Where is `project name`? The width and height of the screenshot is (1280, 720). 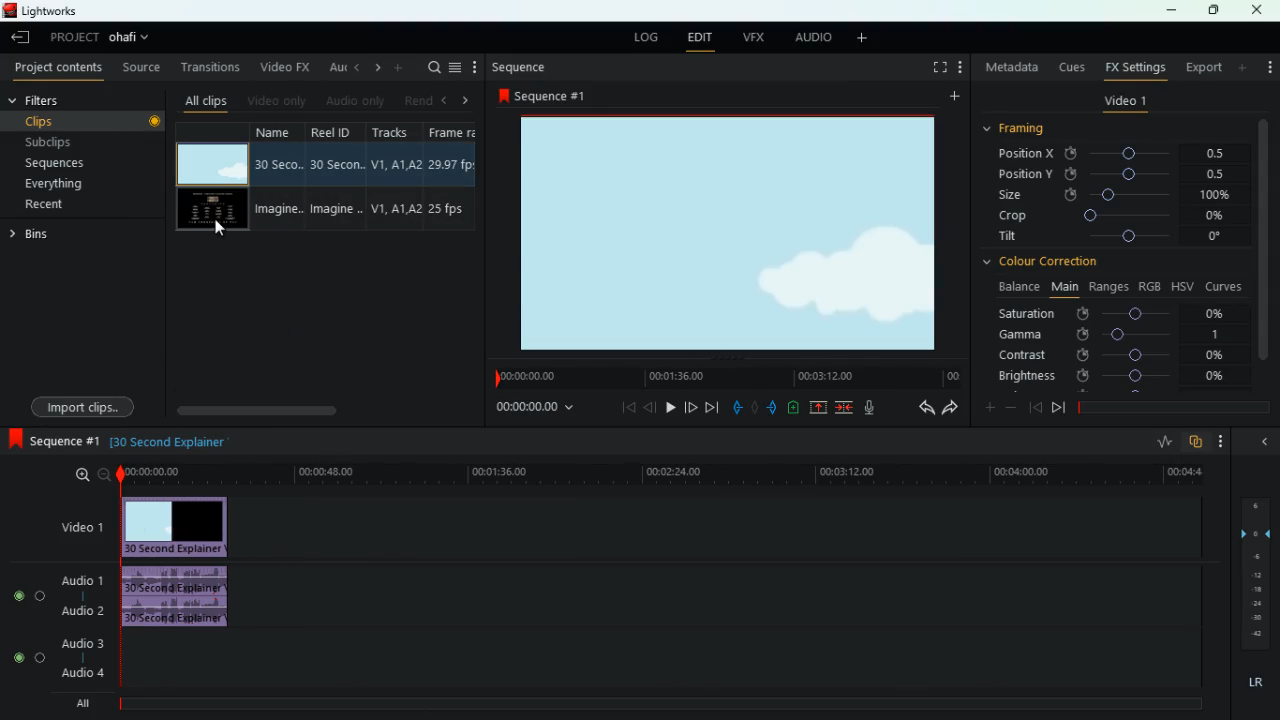
project name is located at coordinates (133, 39).